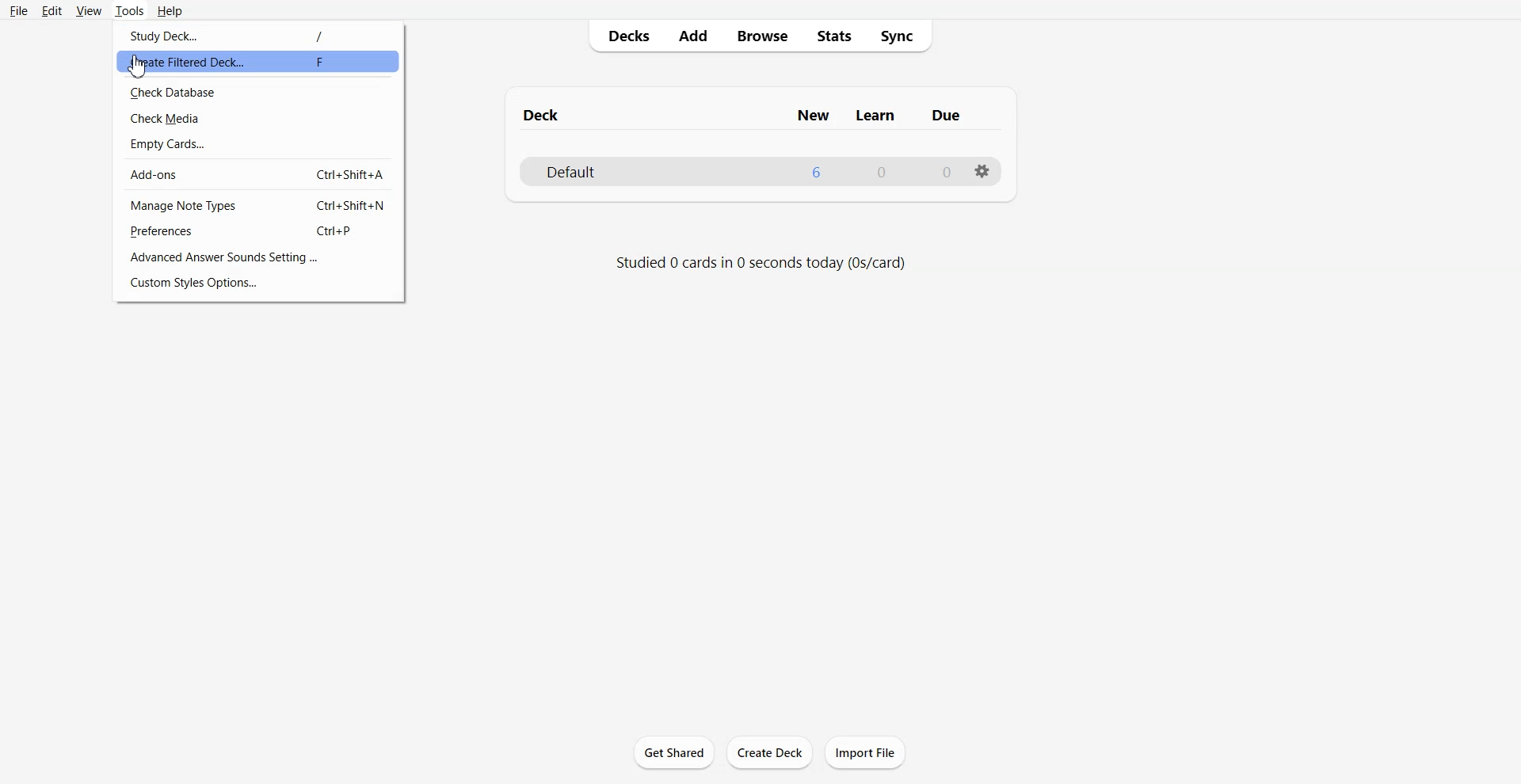 The image size is (1521, 784). What do you see at coordinates (259, 231) in the screenshot?
I see `Preferences` at bounding box center [259, 231].